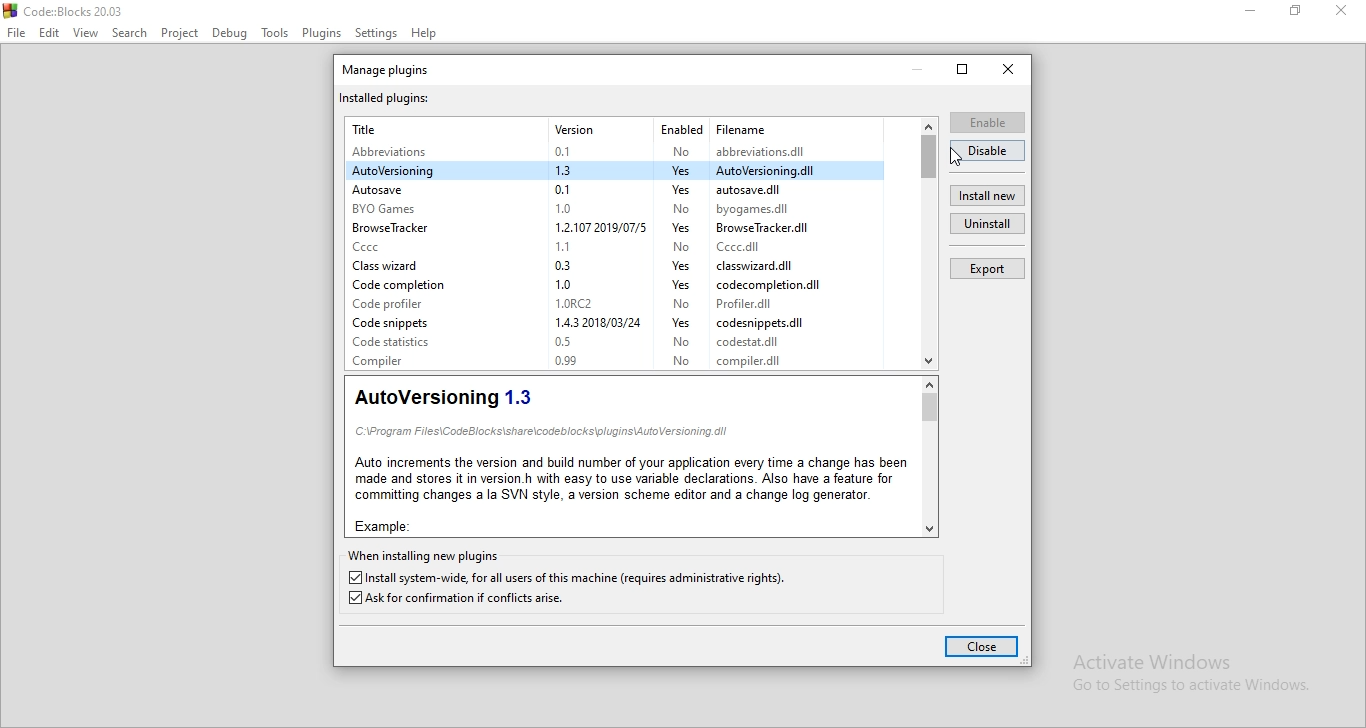  I want to click on scroll up, so click(929, 124).